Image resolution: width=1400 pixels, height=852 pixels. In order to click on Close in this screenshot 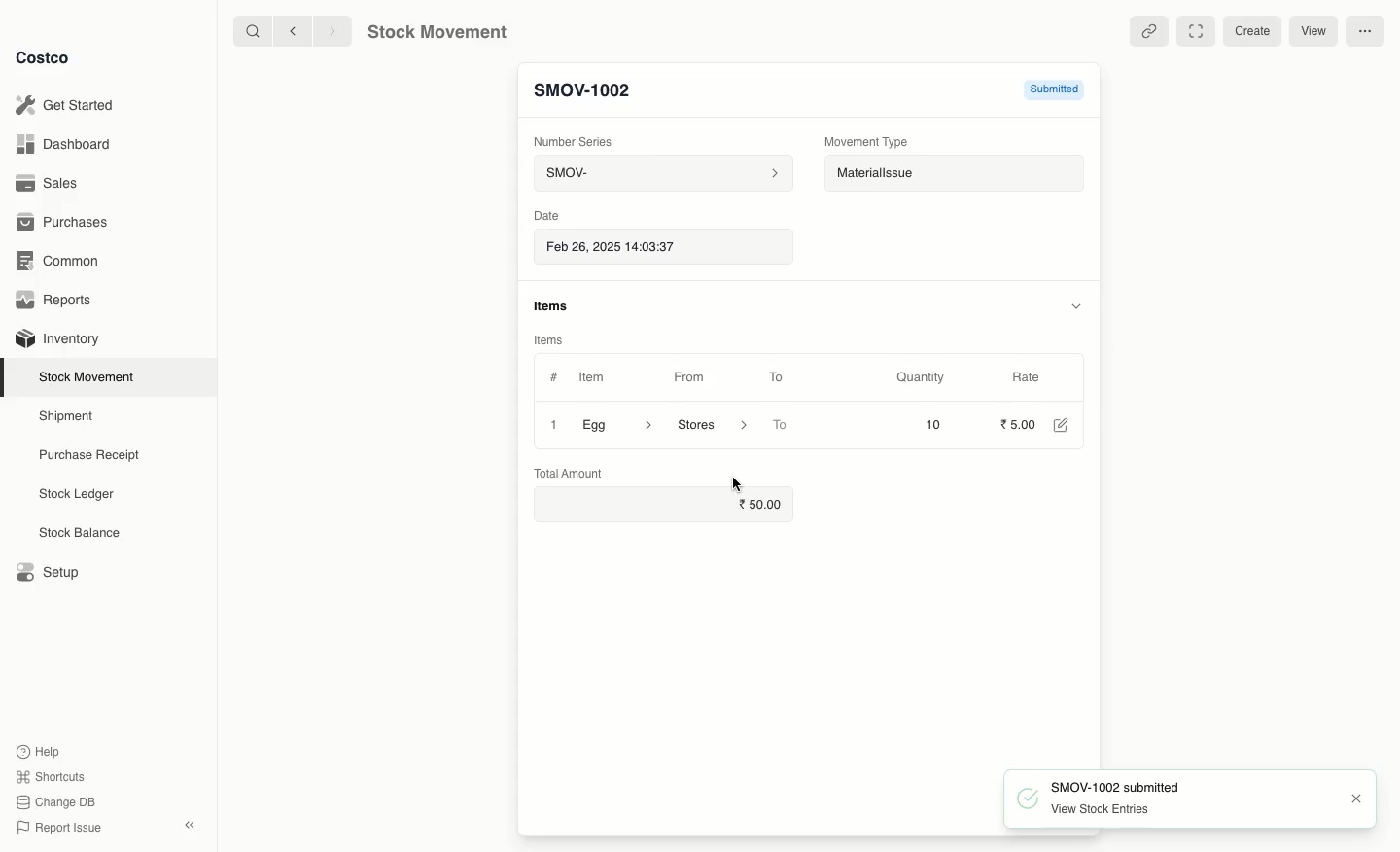, I will do `click(552, 426)`.